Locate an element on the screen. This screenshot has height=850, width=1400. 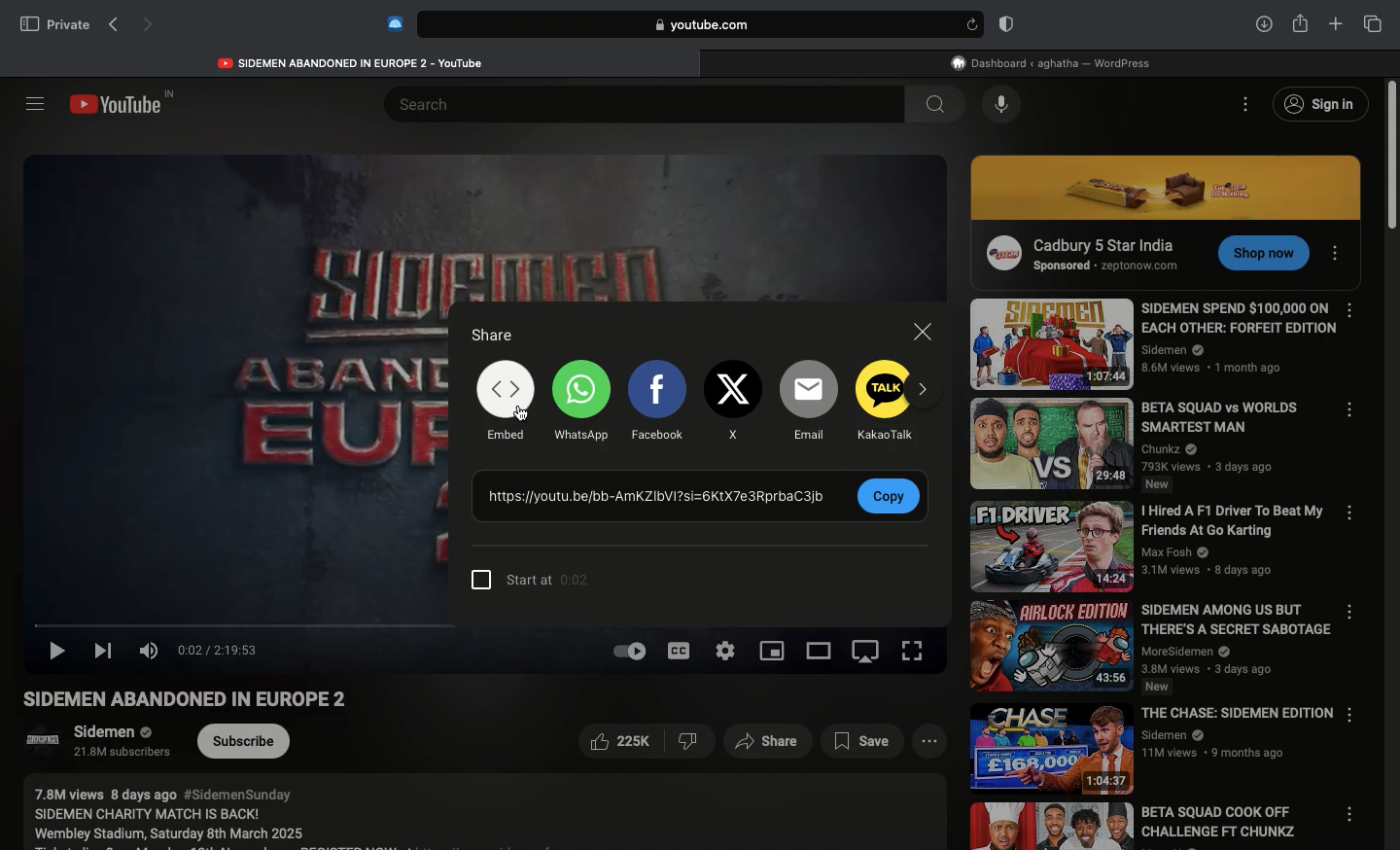
Close is located at coordinates (920, 331).